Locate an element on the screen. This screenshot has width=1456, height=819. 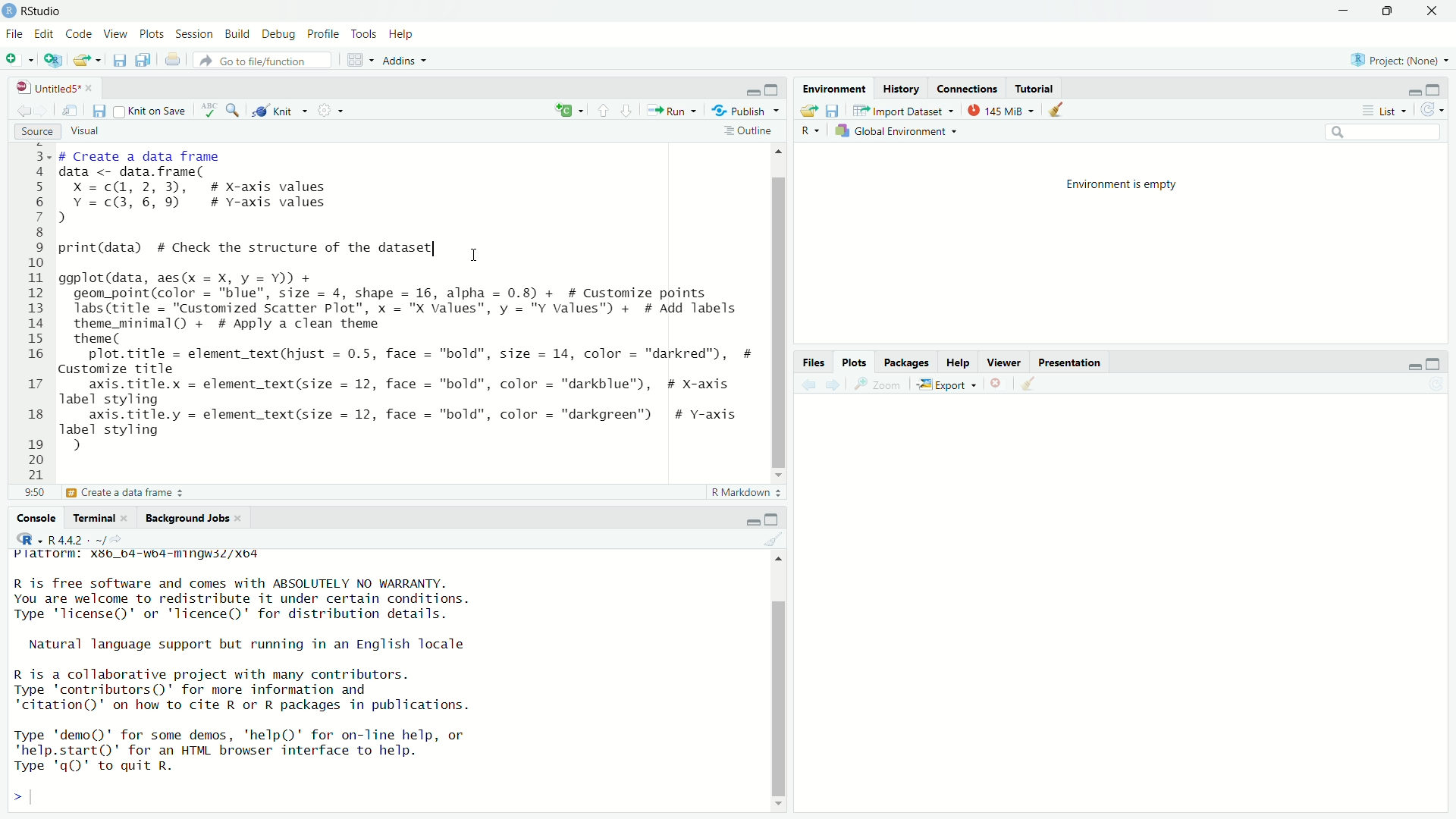
R Markdown is located at coordinates (746, 494).